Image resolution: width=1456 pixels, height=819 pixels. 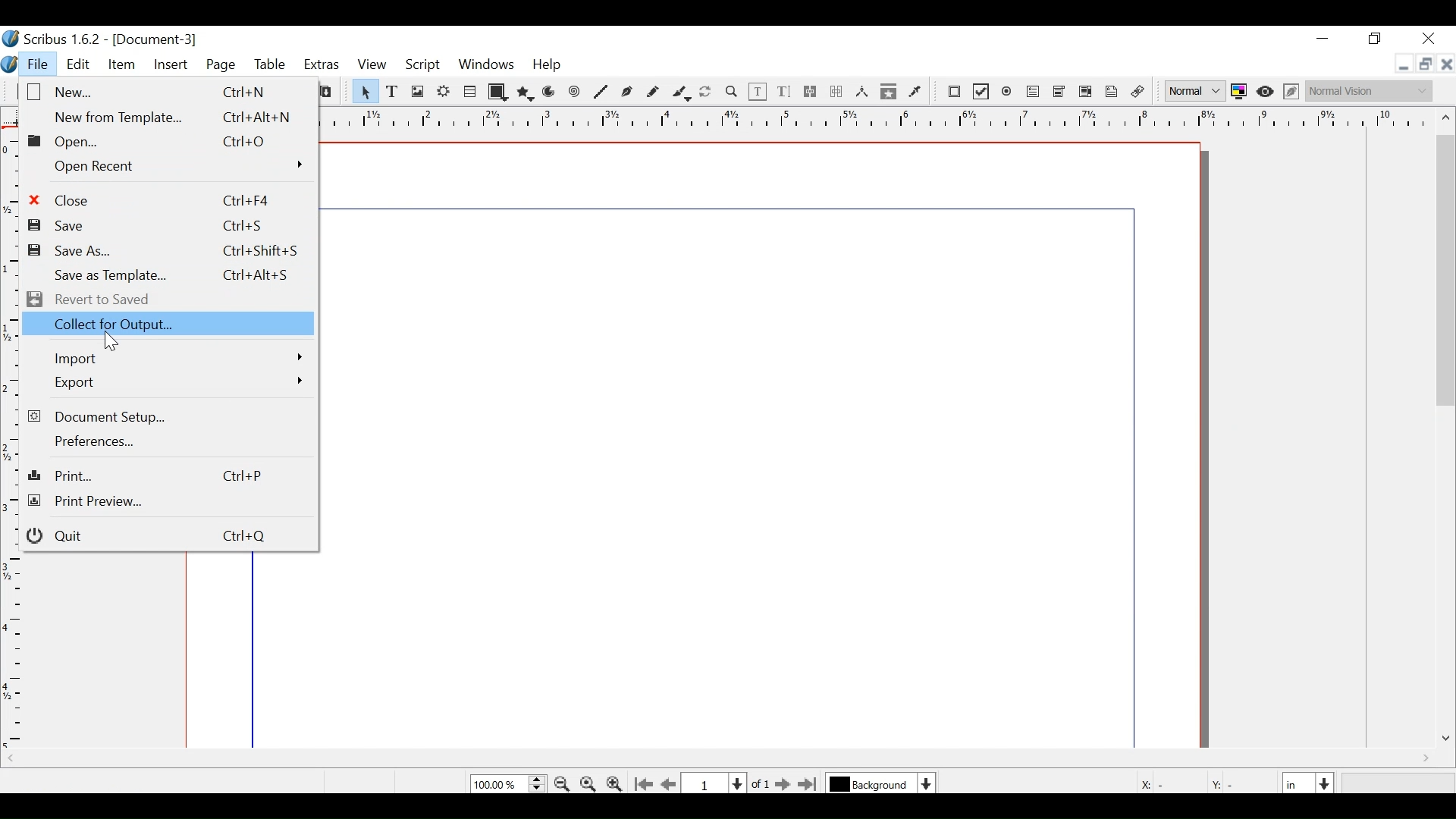 What do you see at coordinates (177, 381) in the screenshot?
I see `Export` at bounding box center [177, 381].